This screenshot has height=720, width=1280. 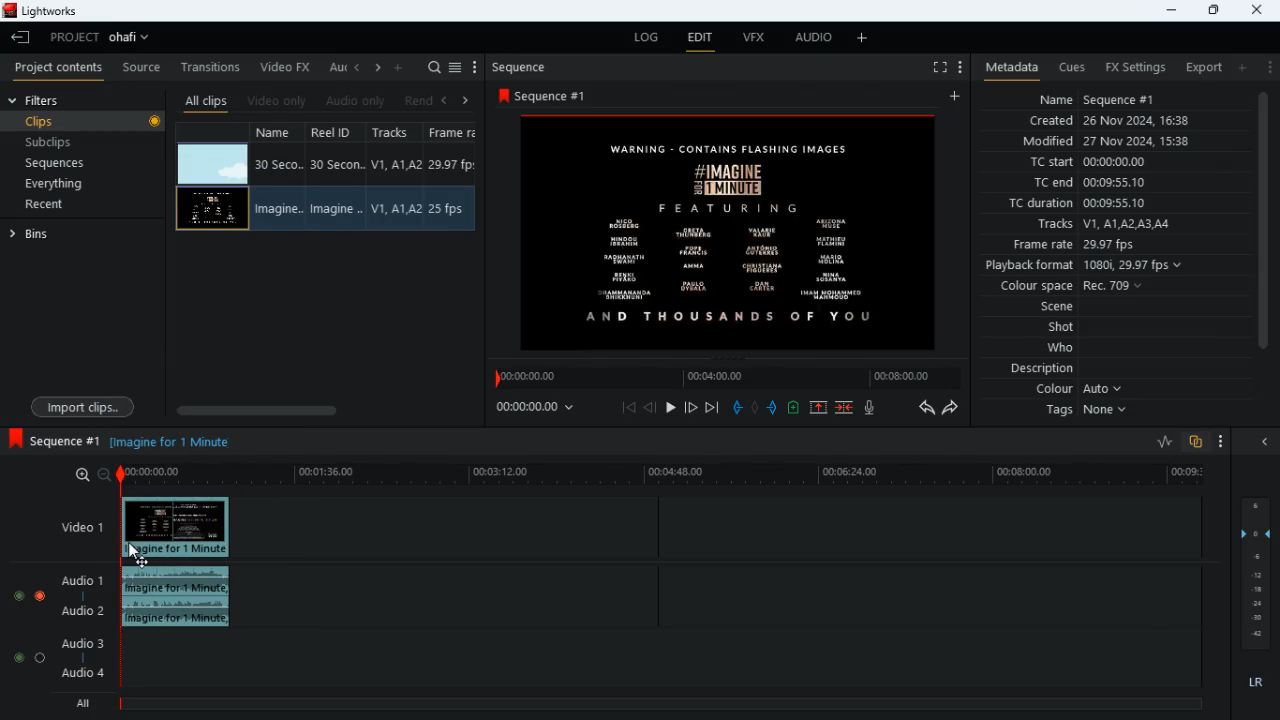 What do you see at coordinates (1267, 66) in the screenshot?
I see `more` at bounding box center [1267, 66].